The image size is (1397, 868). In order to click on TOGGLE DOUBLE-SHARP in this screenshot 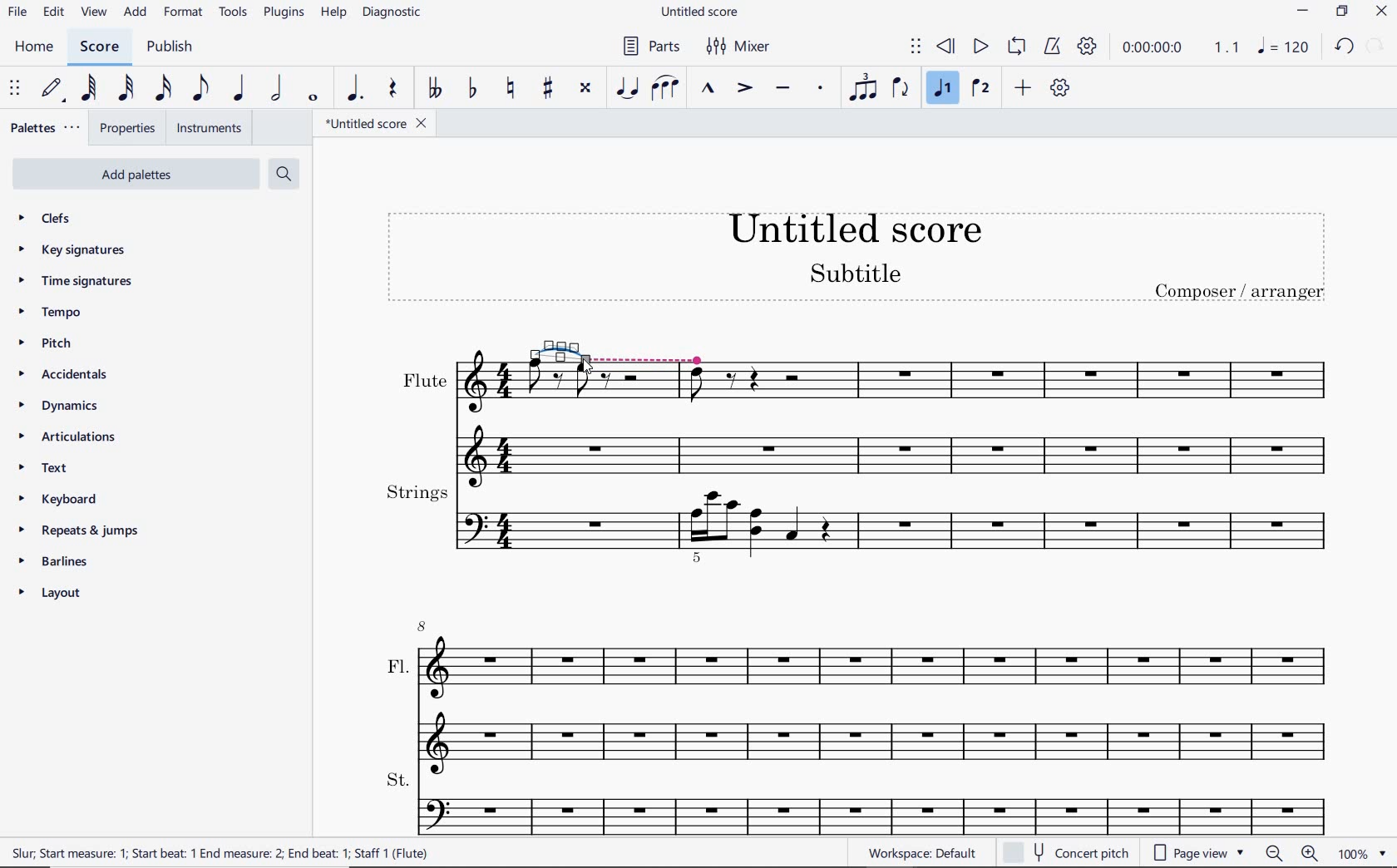, I will do `click(586, 89)`.